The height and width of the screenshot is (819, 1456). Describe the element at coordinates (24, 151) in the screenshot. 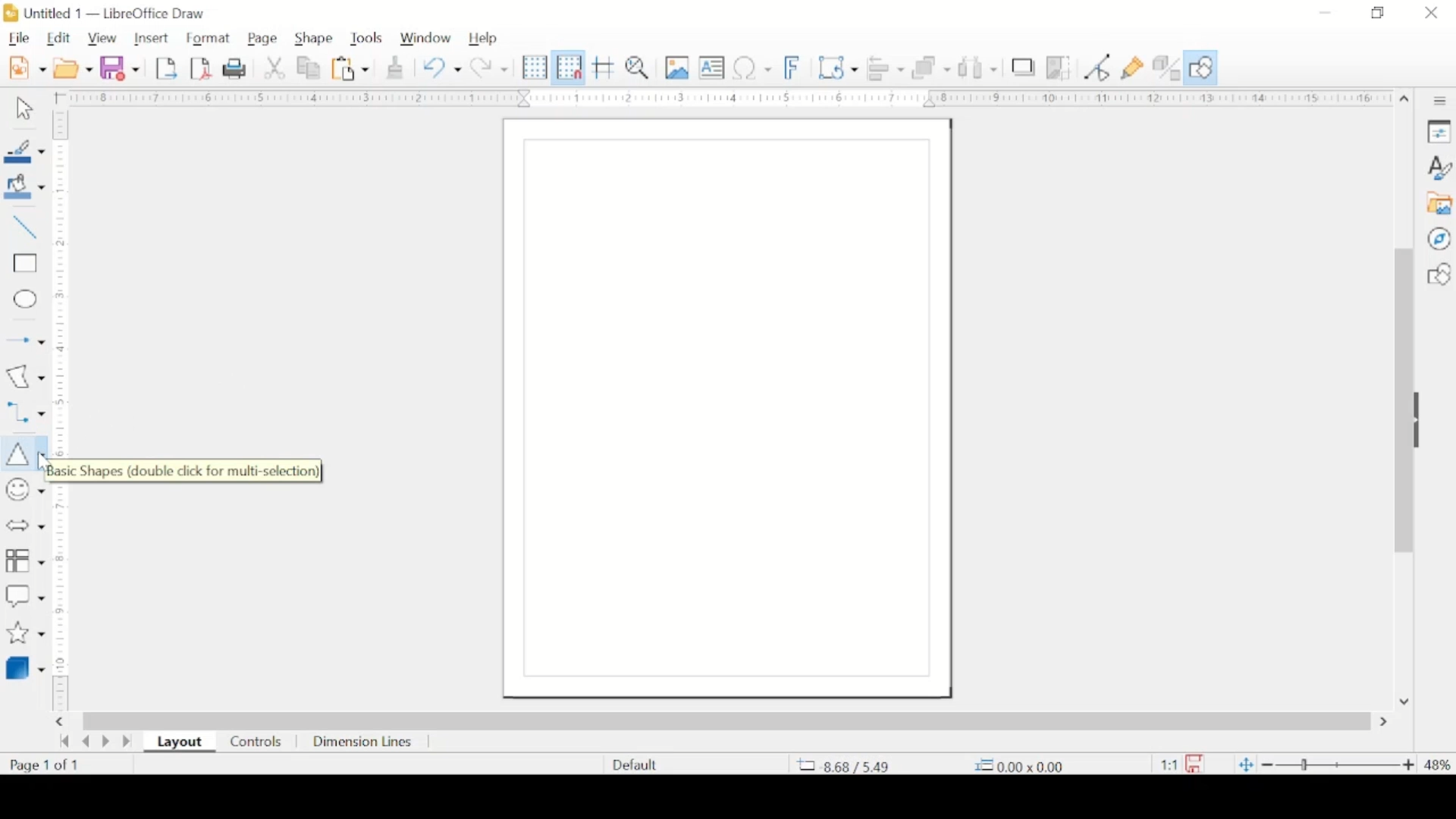

I see `line color` at that location.